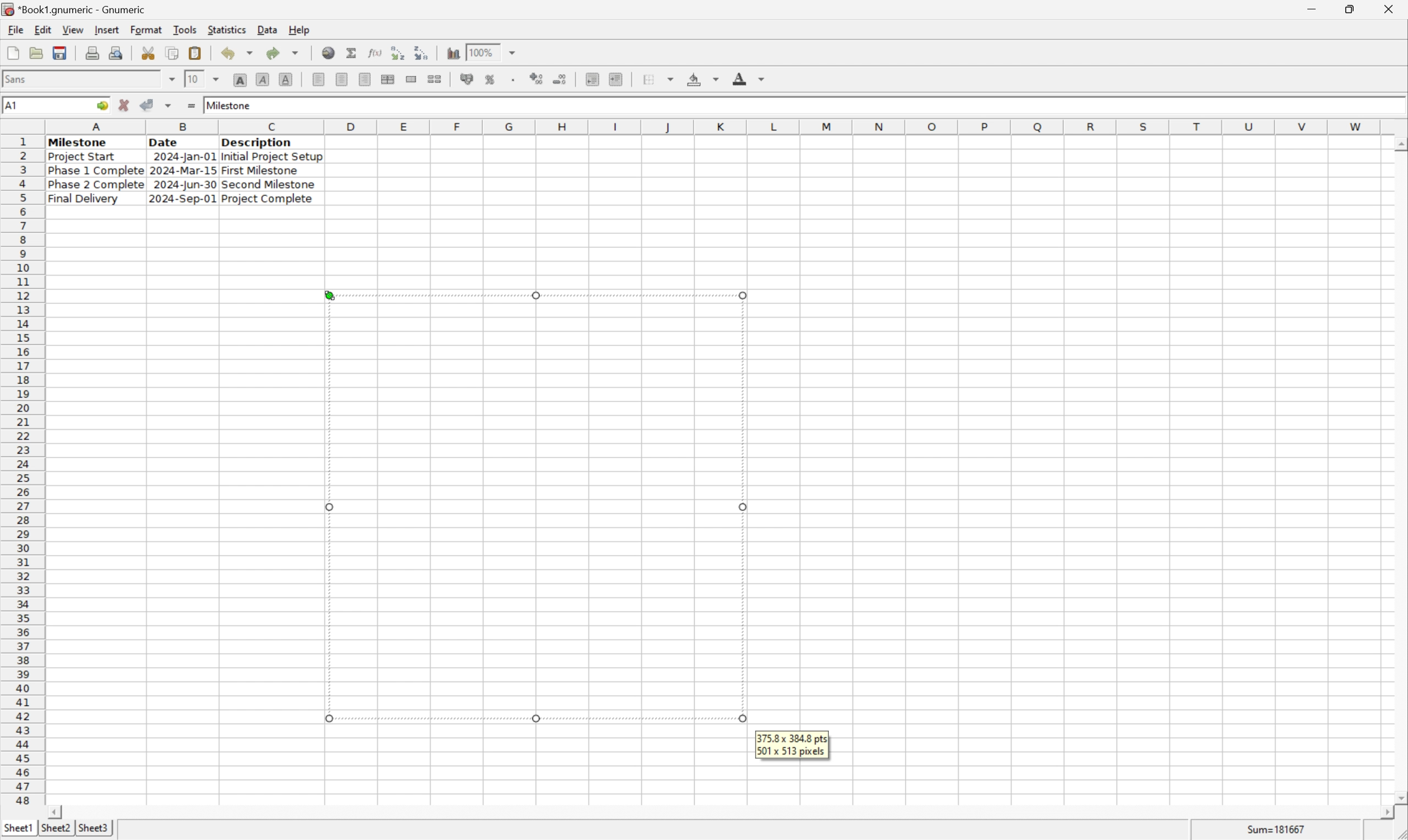 The height and width of the screenshot is (840, 1408). Describe the element at coordinates (239, 80) in the screenshot. I see `bold` at that location.